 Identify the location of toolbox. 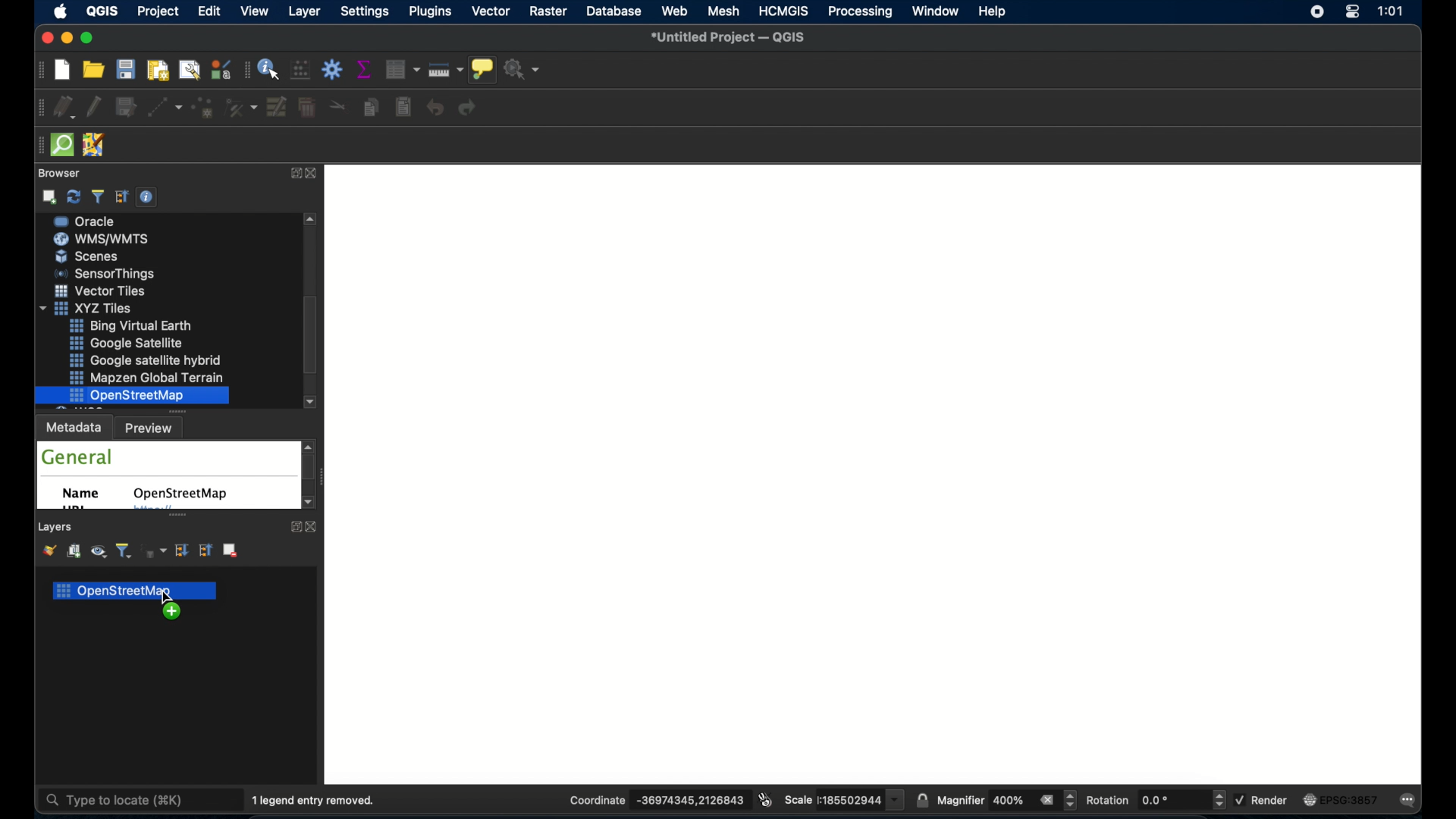
(332, 69).